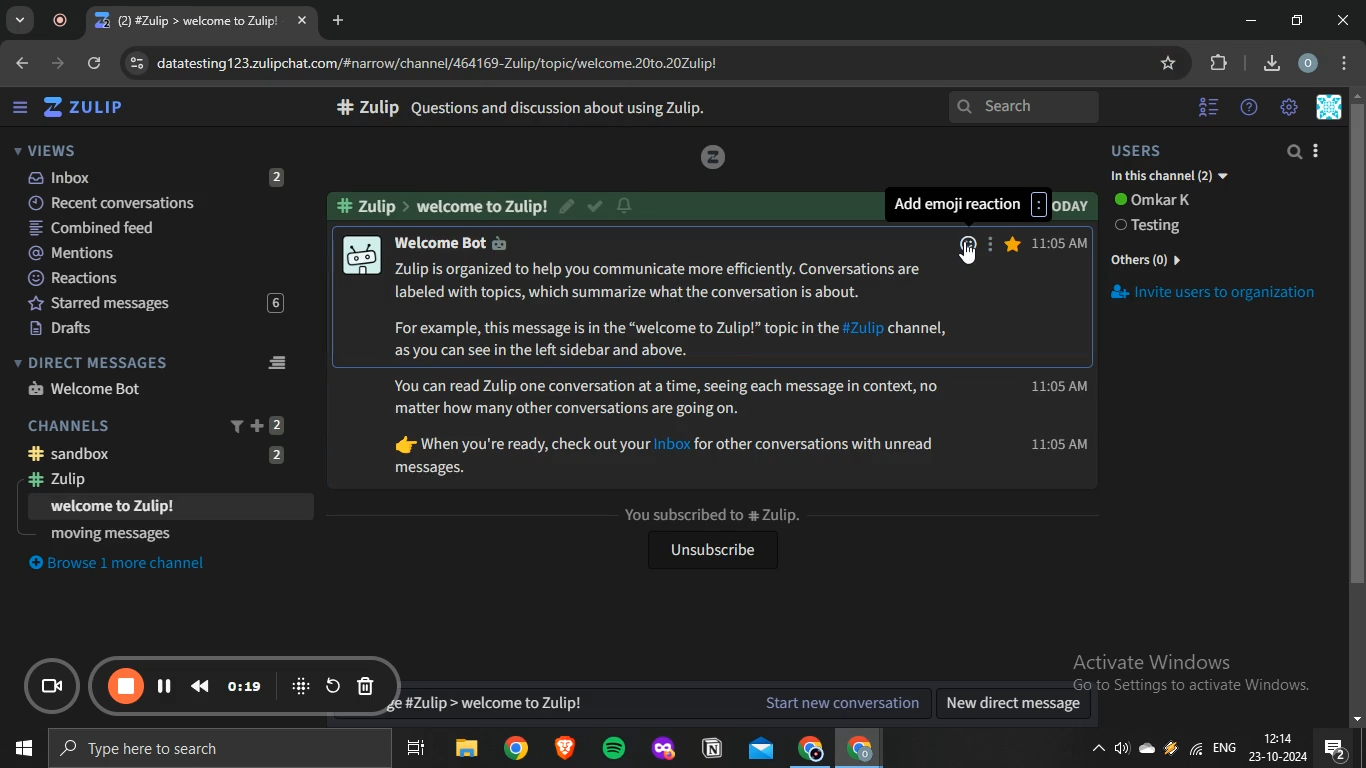  I want to click on welcome bot, so click(87, 388).